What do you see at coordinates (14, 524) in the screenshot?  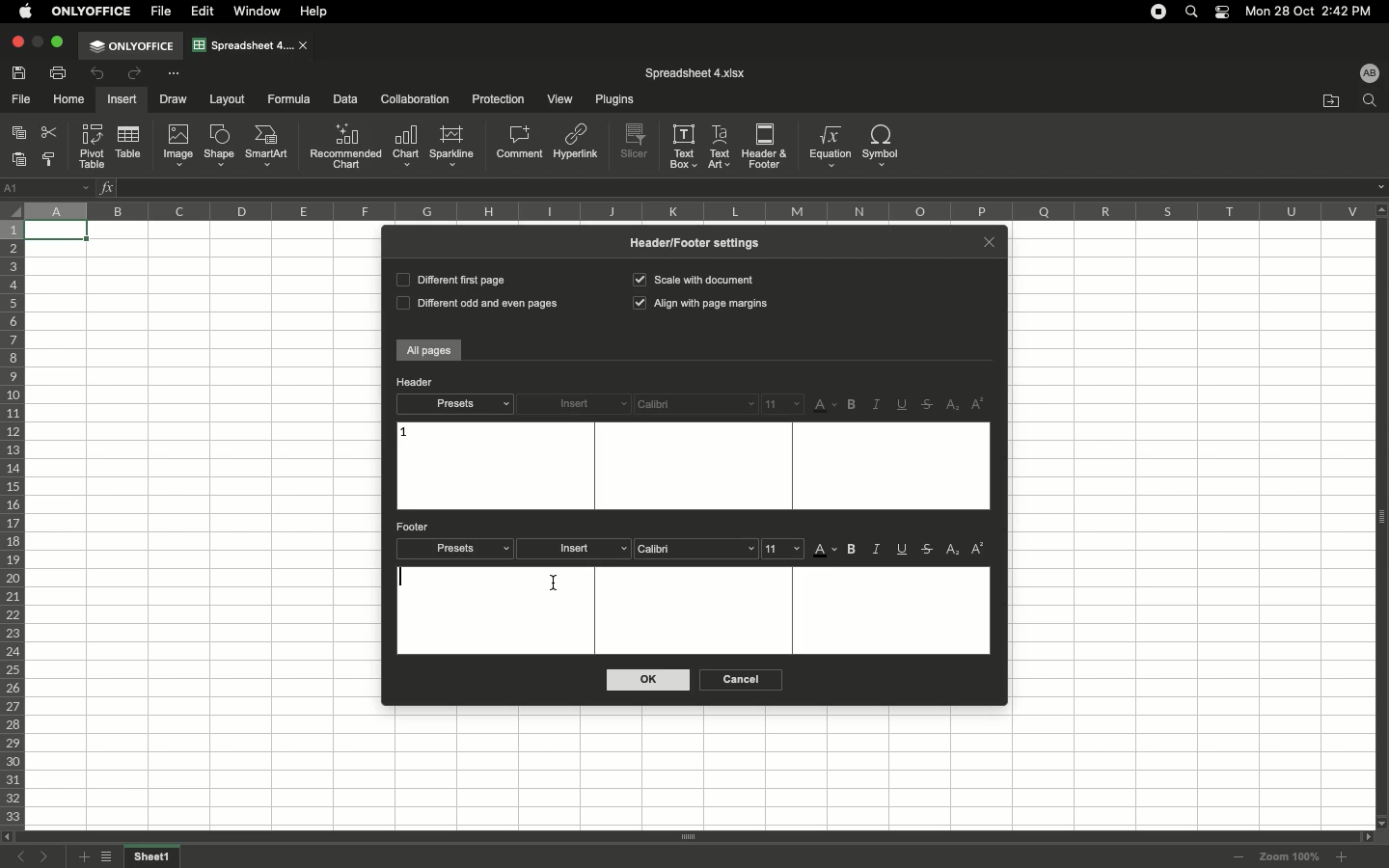 I see `Row` at bounding box center [14, 524].